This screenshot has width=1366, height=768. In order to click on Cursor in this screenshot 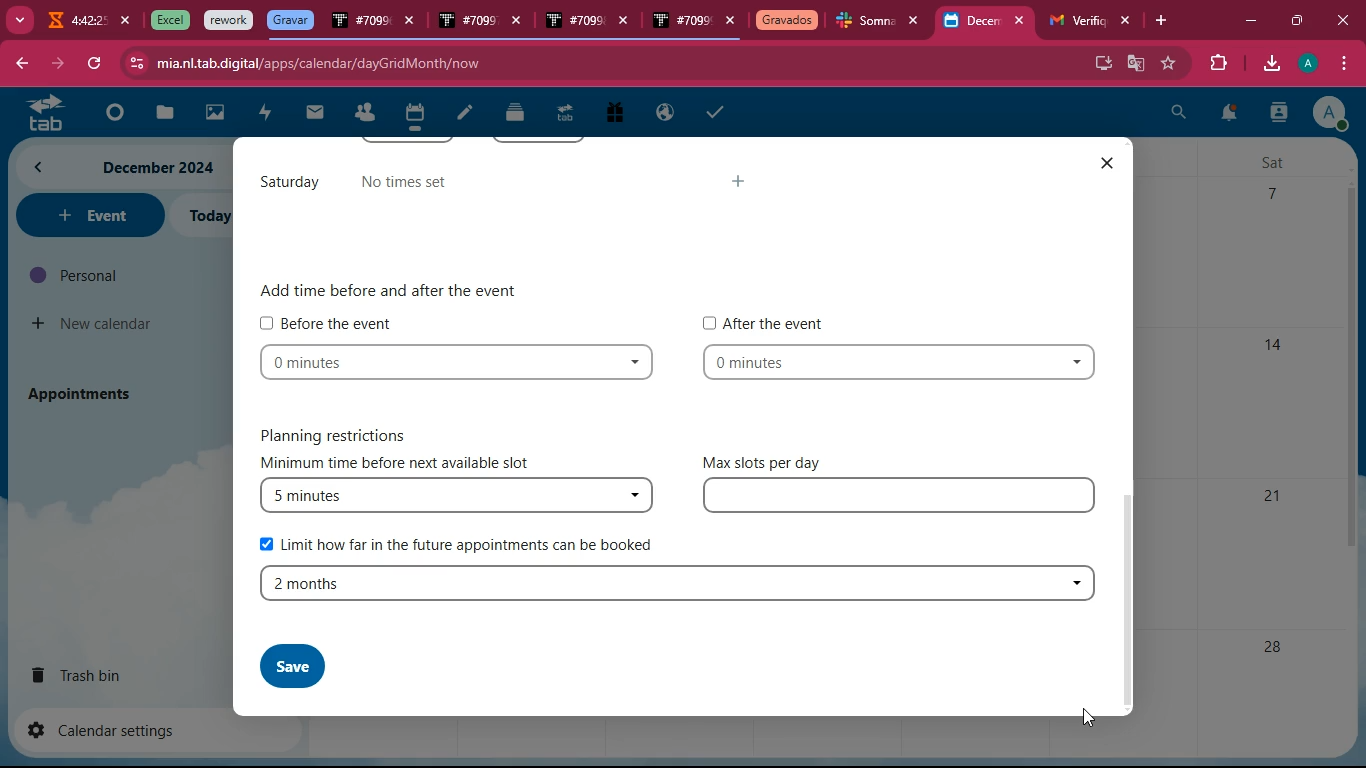, I will do `click(1090, 721)`.